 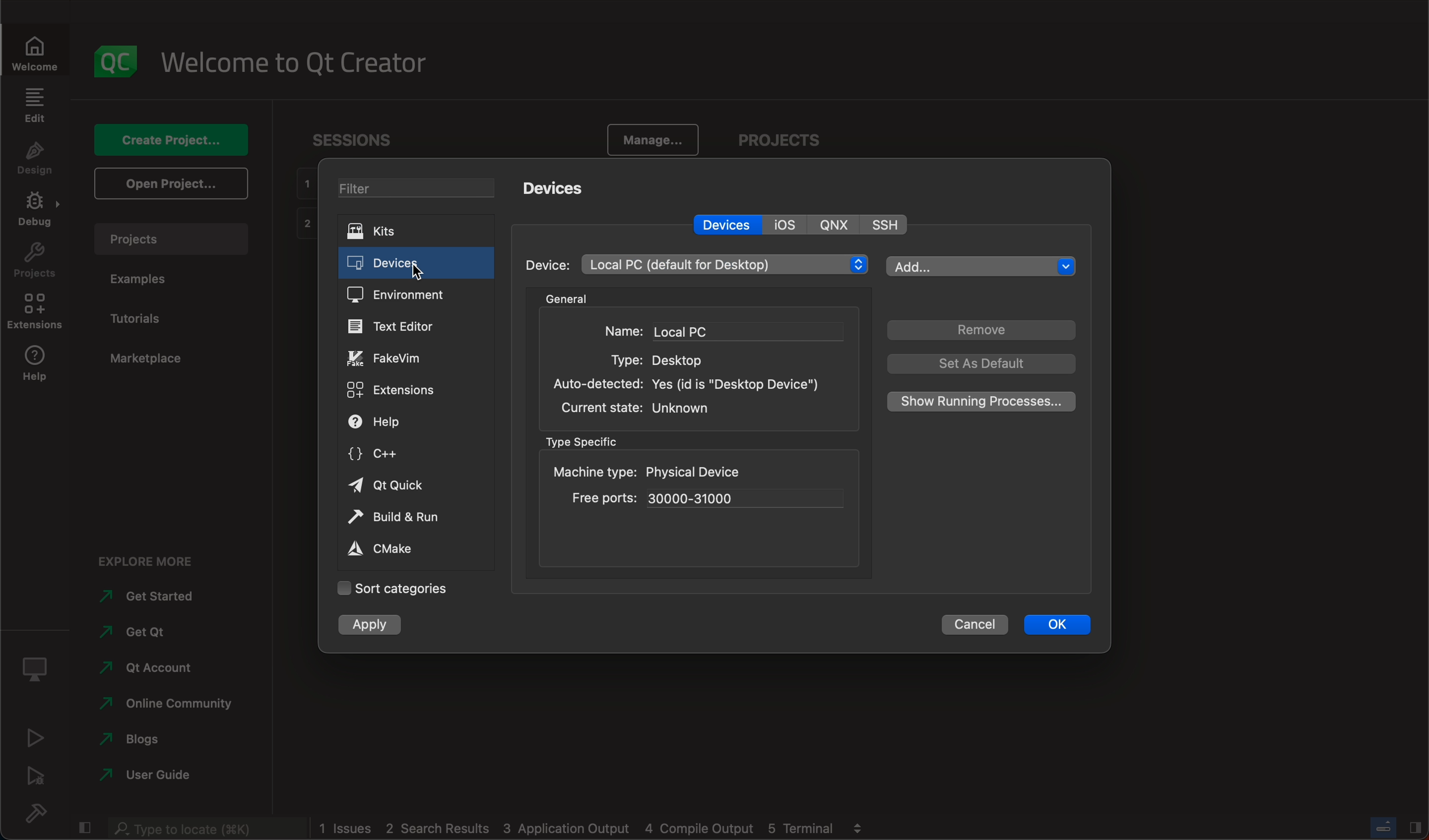 What do you see at coordinates (549, 265) in the screenshot?
I see `device` at bounding box center [549, 265].